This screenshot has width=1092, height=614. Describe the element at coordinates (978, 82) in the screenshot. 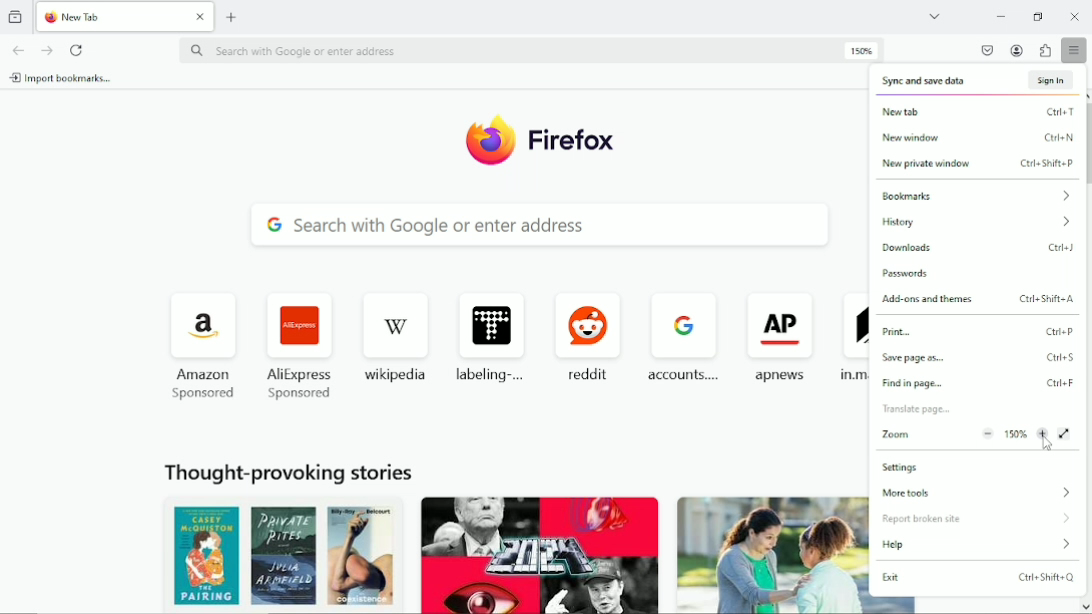

I see `Sync and save data` at that location.